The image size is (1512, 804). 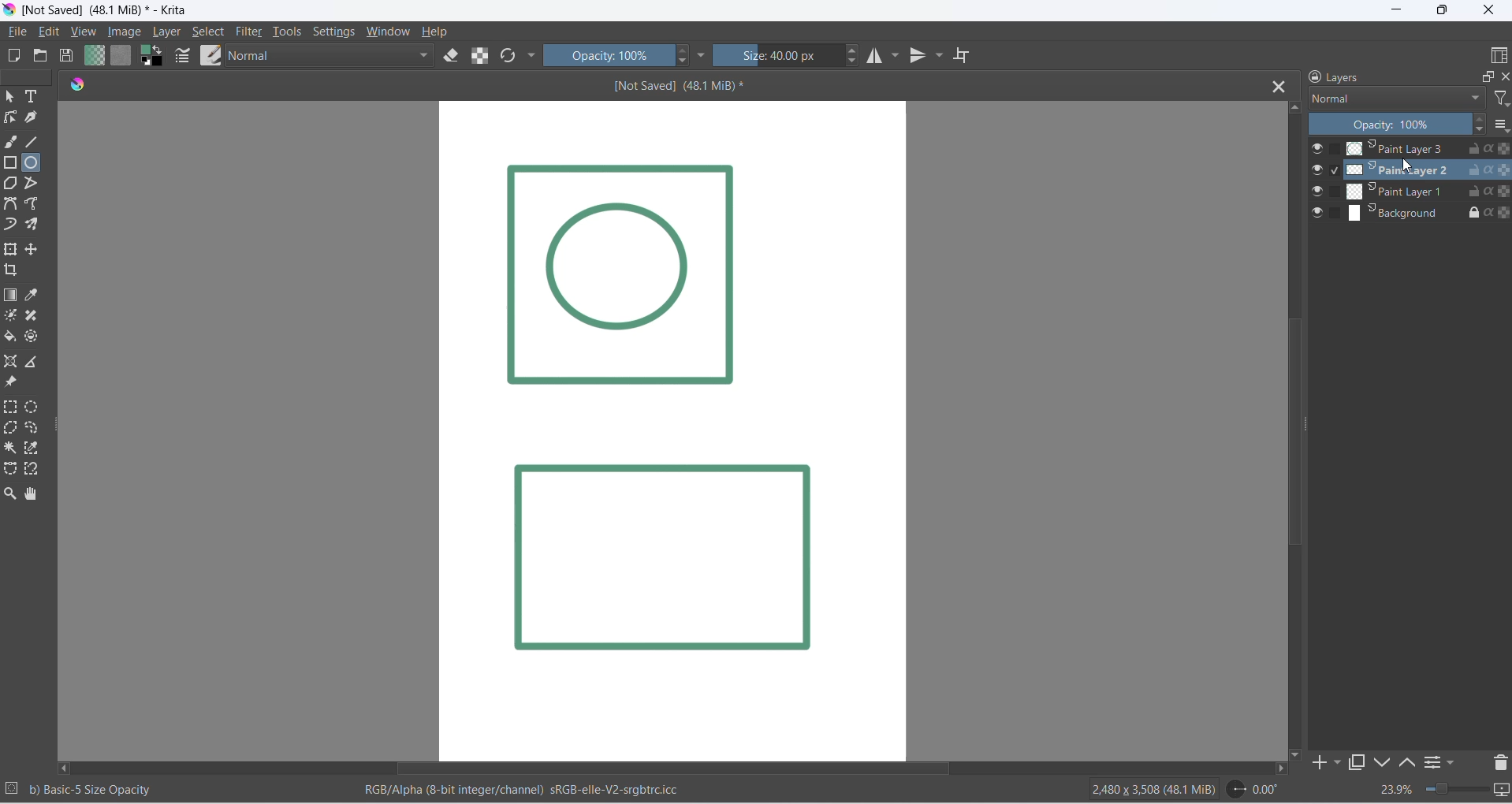 I want to click on view, so click(x=83, y=33).